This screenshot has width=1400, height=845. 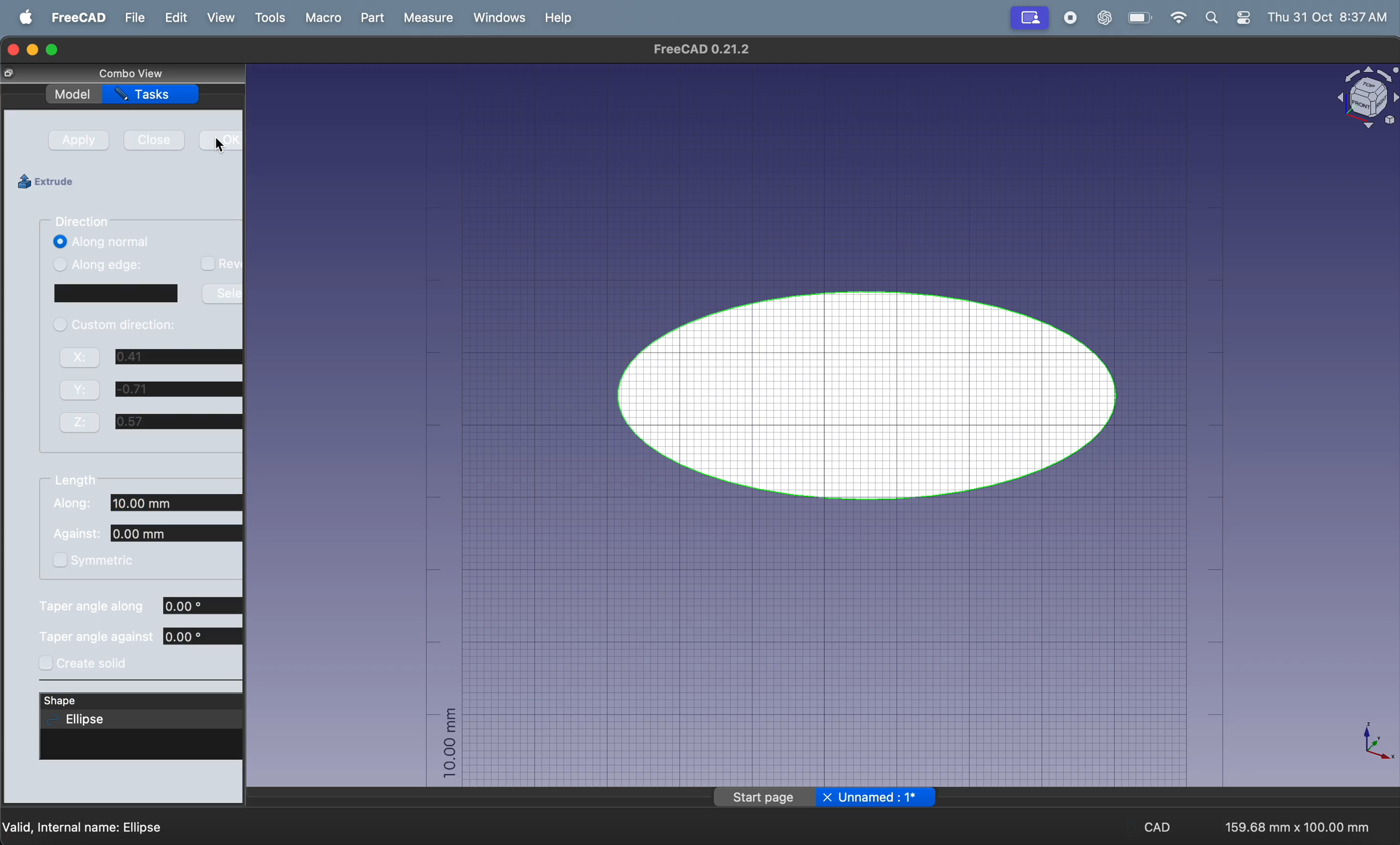 What do you see at coordinates (179, 422) in the screenshot?
I see `0.57` at bounding box center [179, 422].